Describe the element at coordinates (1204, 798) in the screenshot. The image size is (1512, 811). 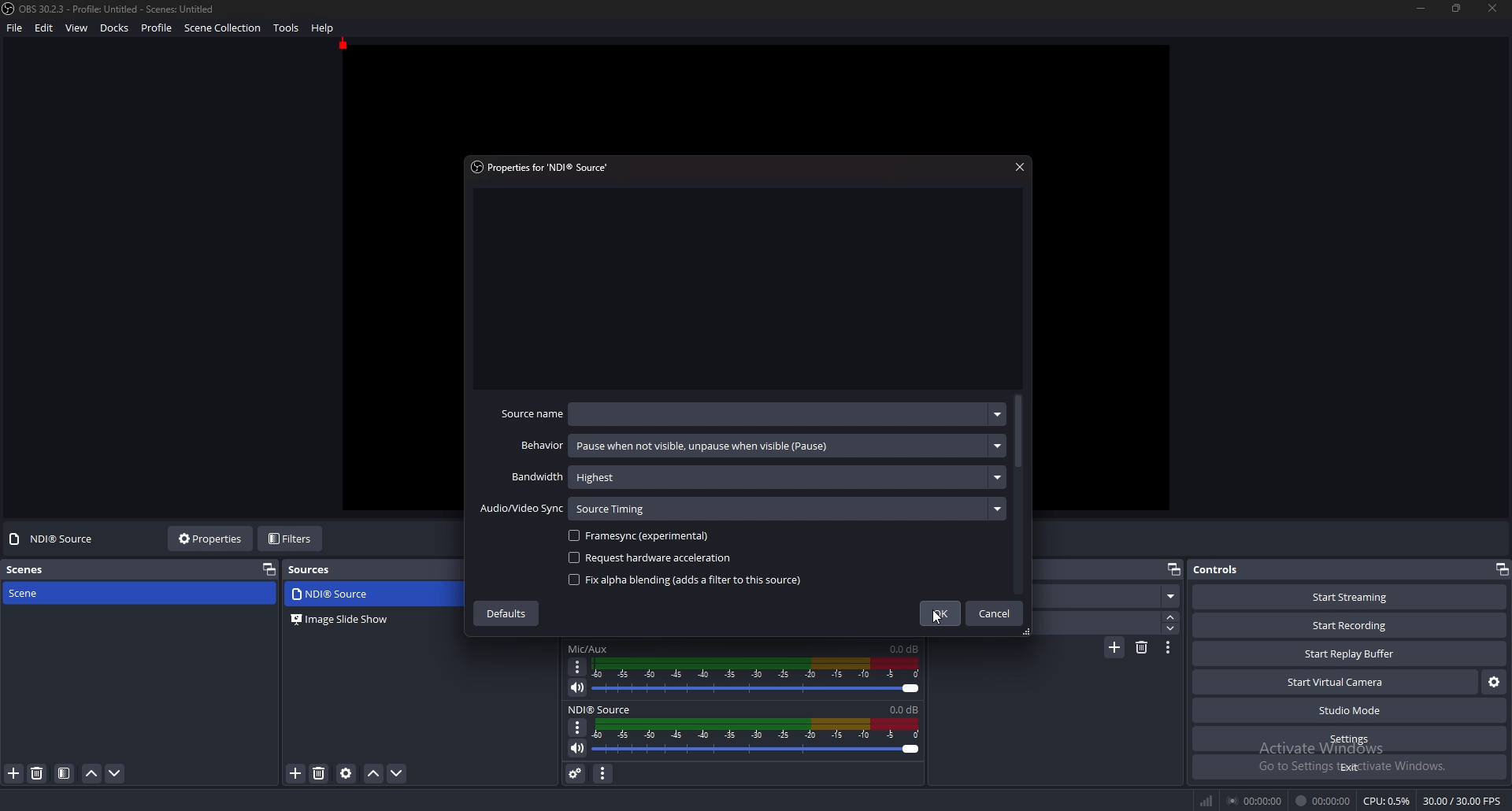
I see `Signal` at that location.